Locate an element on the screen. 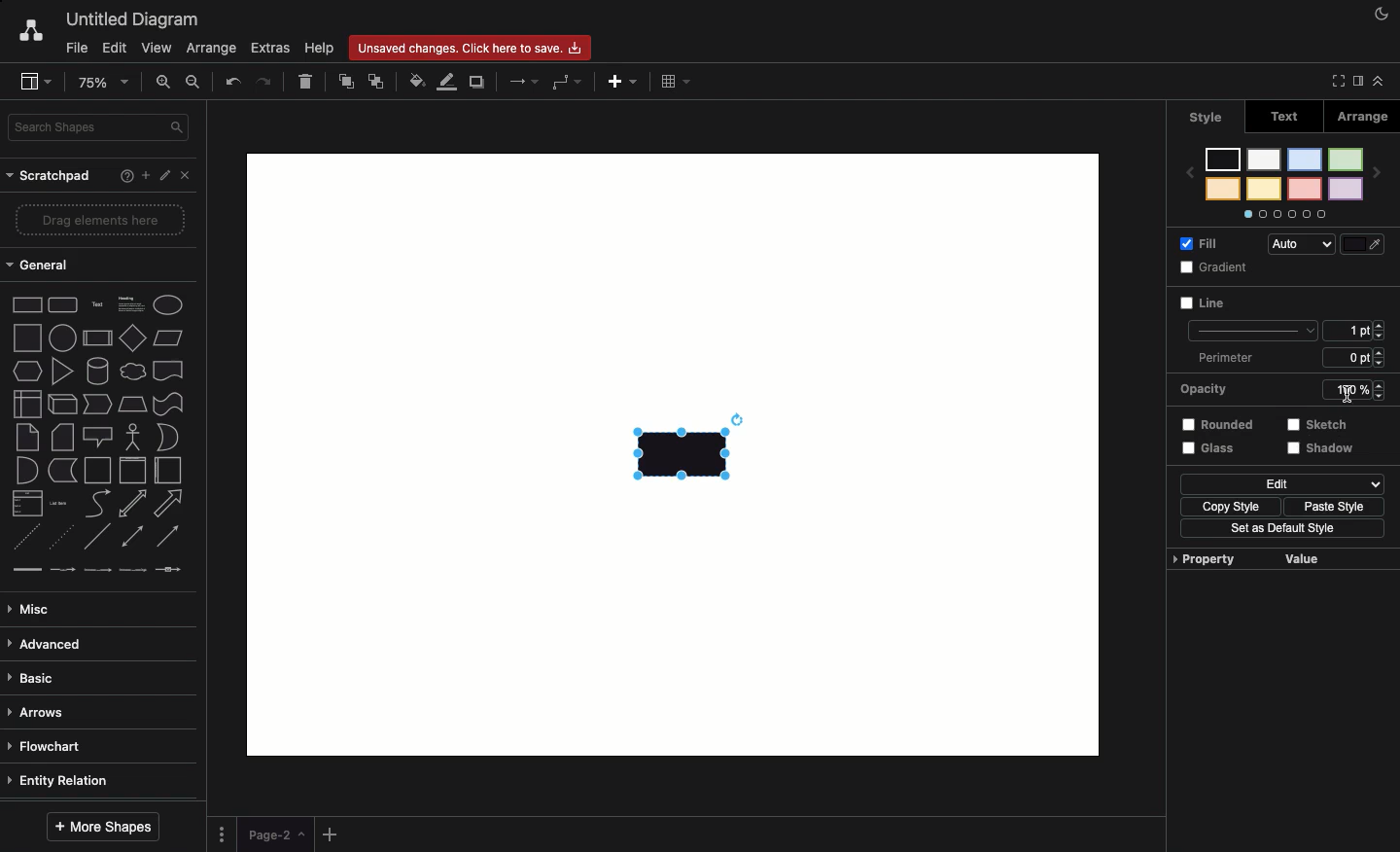 This screenshot has height=852, width=1400. color 3 is located at coordinates (1304, 160).